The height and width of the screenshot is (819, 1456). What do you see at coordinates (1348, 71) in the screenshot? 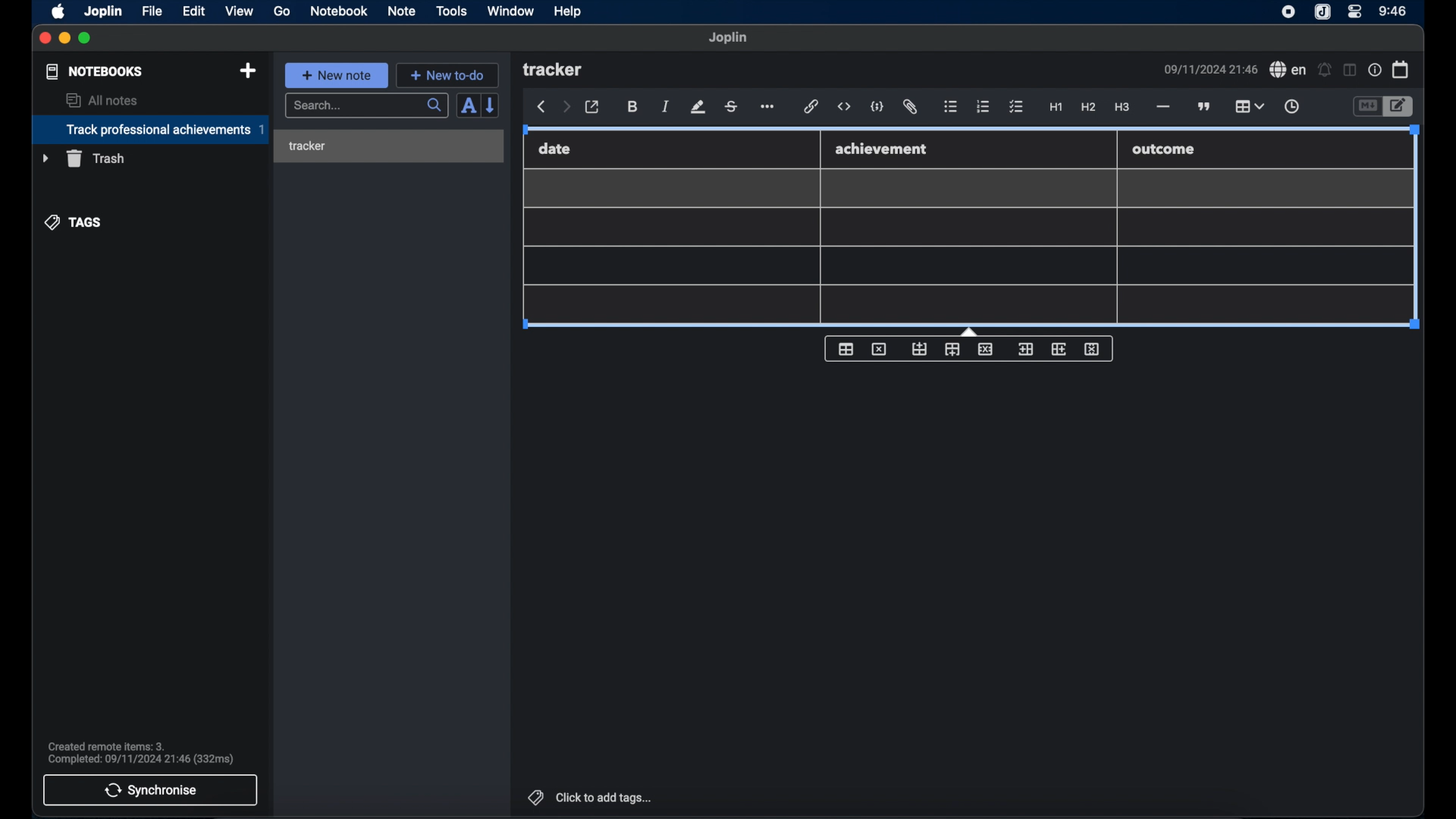
I see `toggle editor layout` at bounding box center [1348, 71].